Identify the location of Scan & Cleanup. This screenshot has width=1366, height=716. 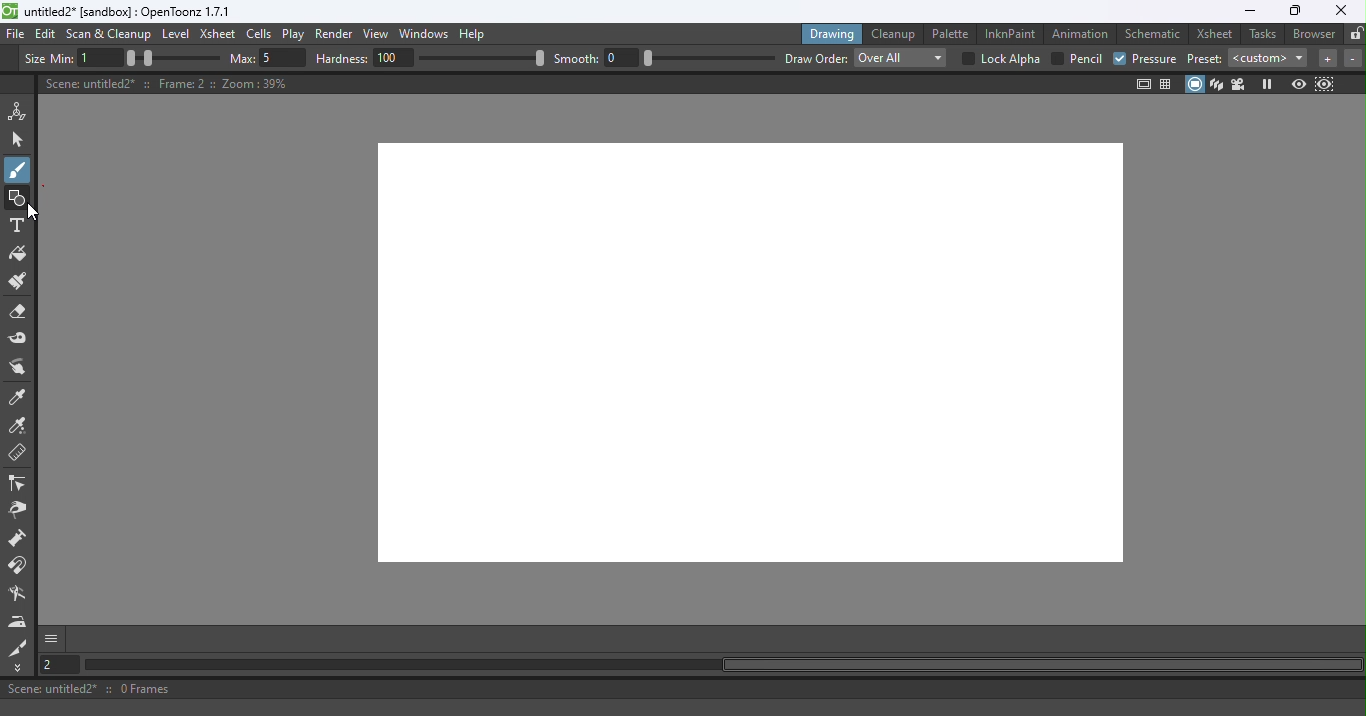
(109, 36).